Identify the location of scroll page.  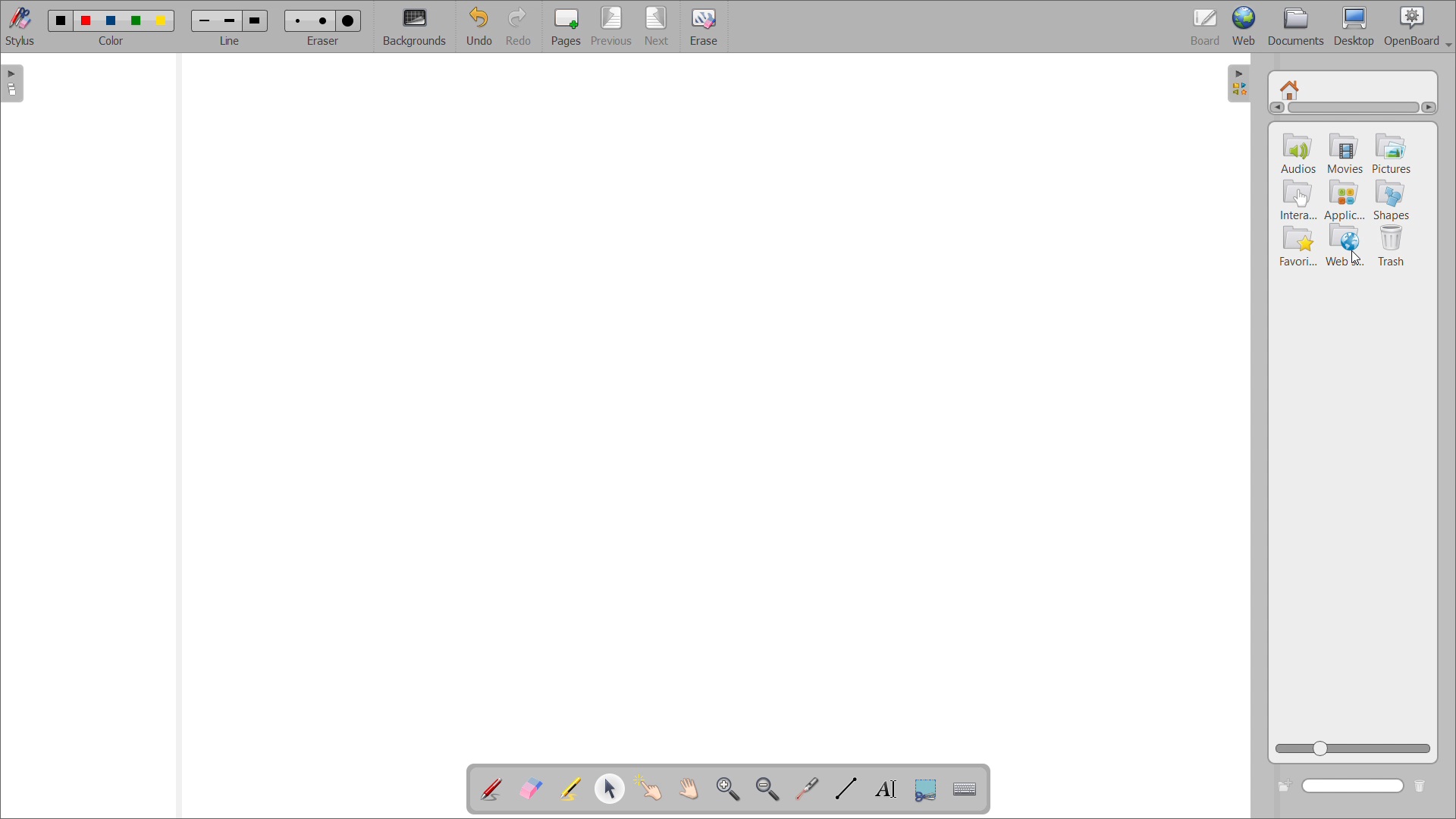
(688, 787).